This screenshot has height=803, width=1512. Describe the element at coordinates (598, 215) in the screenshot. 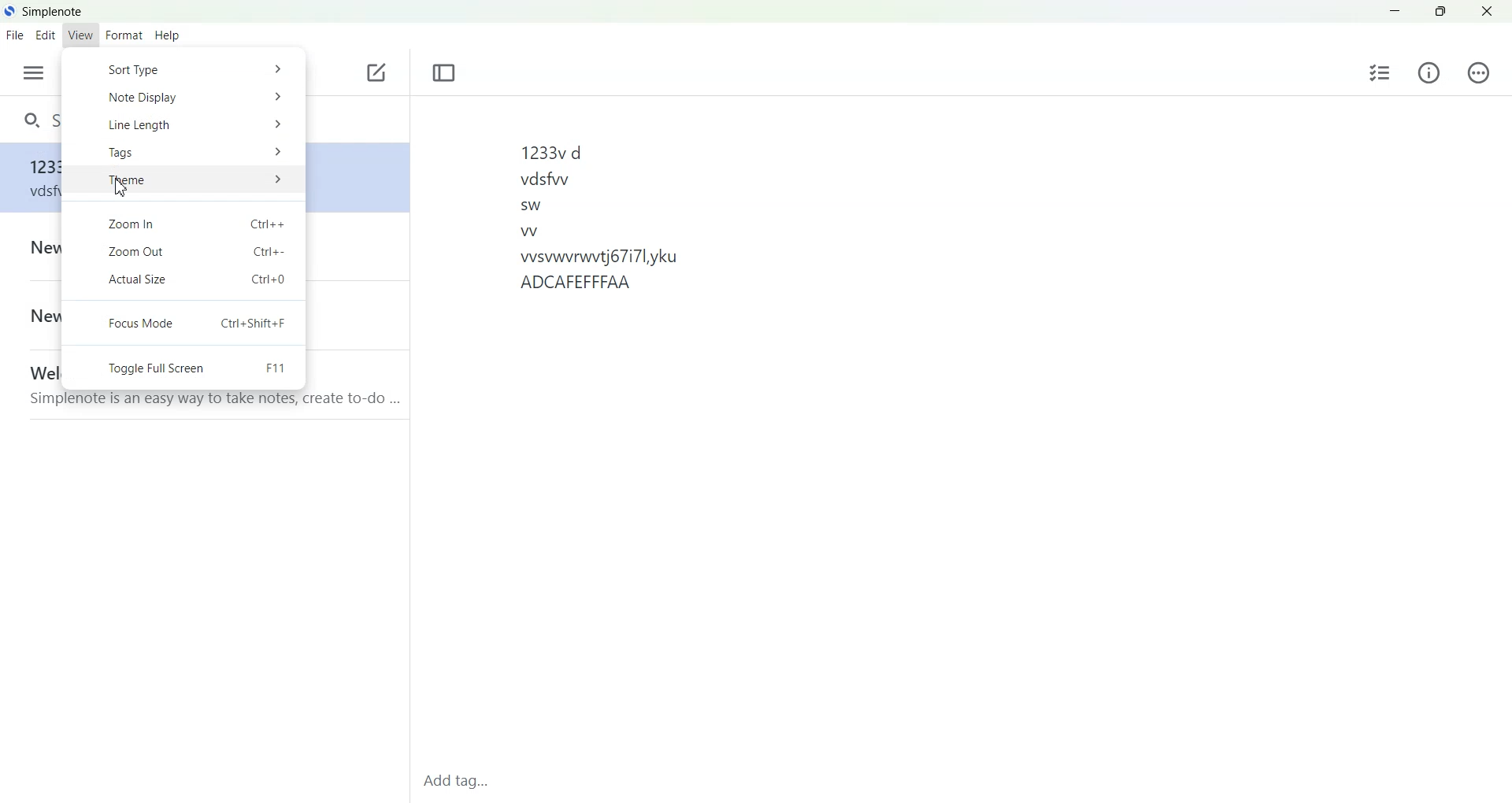

I see `1233vd

vdsfwwy

sw

w
vsvwvrwvtj67i7lyku
ADCAFEFFFAA` at that location.